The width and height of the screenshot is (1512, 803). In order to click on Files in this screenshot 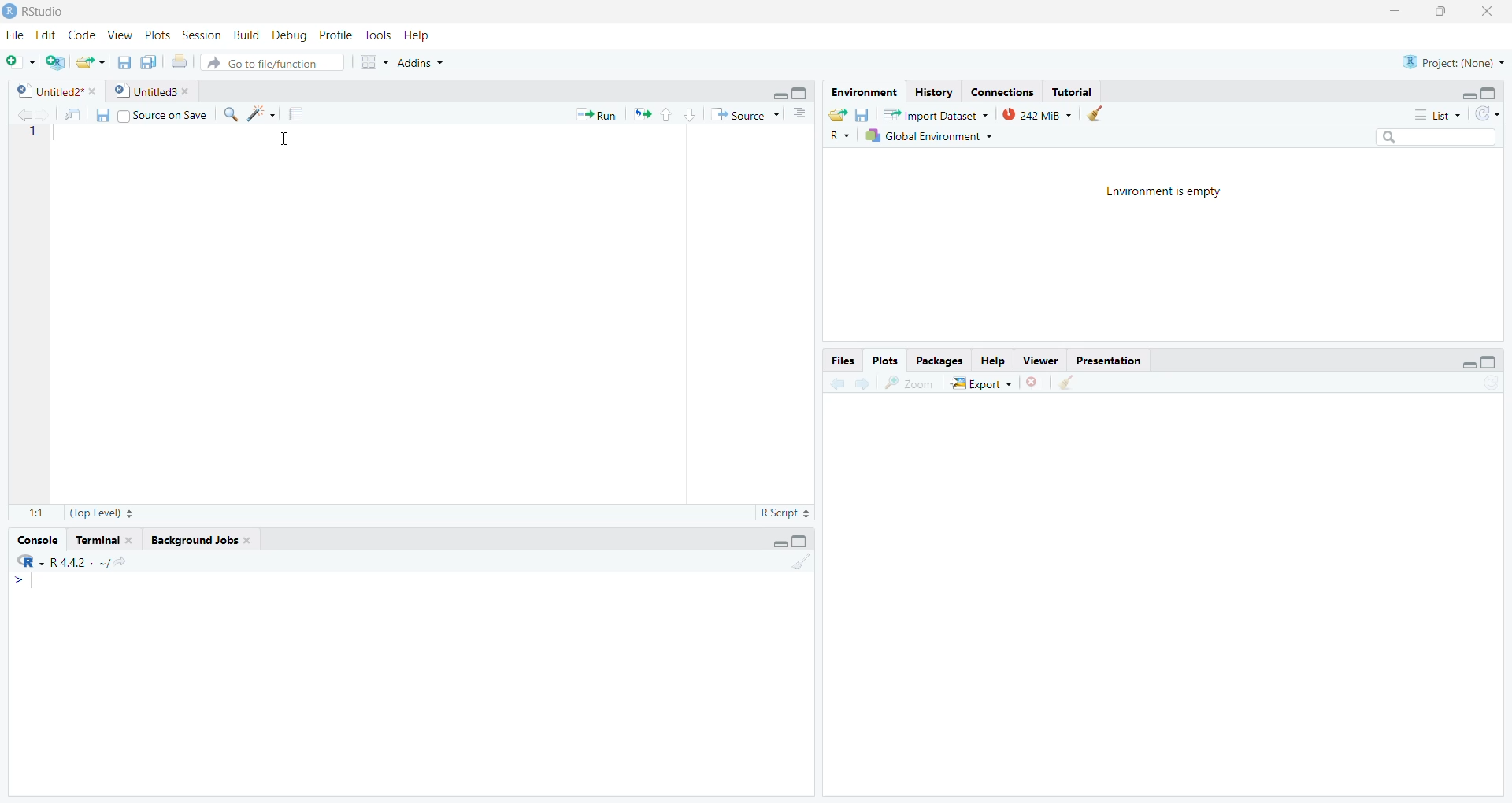, I will do `click(843, 361)`.